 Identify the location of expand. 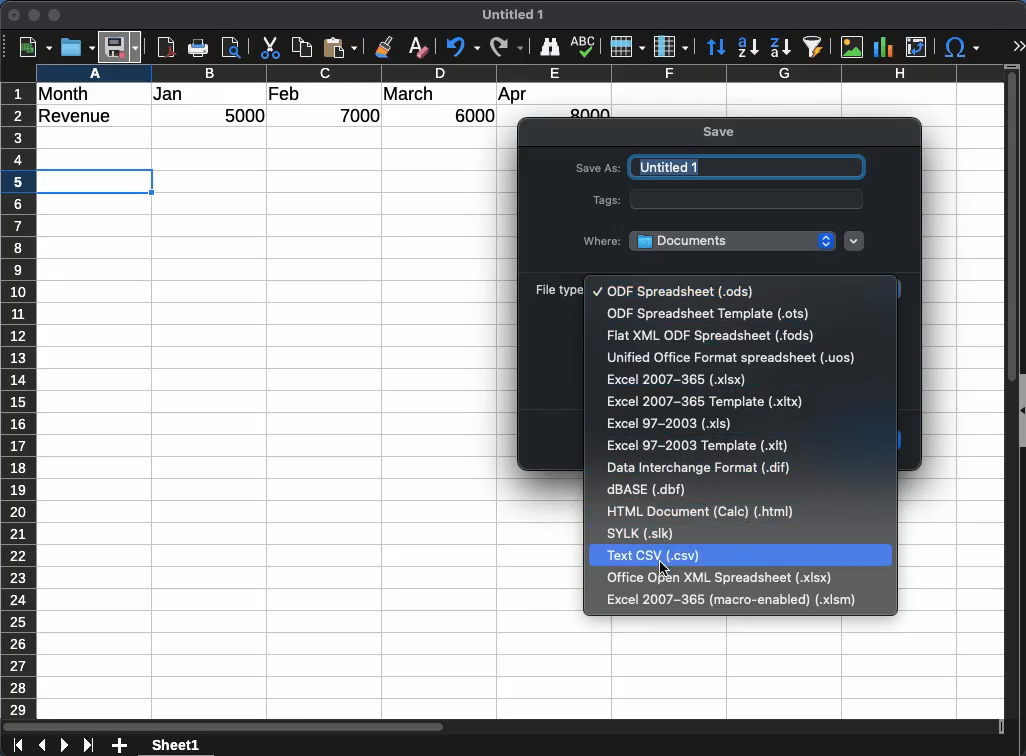
(1018, 46).